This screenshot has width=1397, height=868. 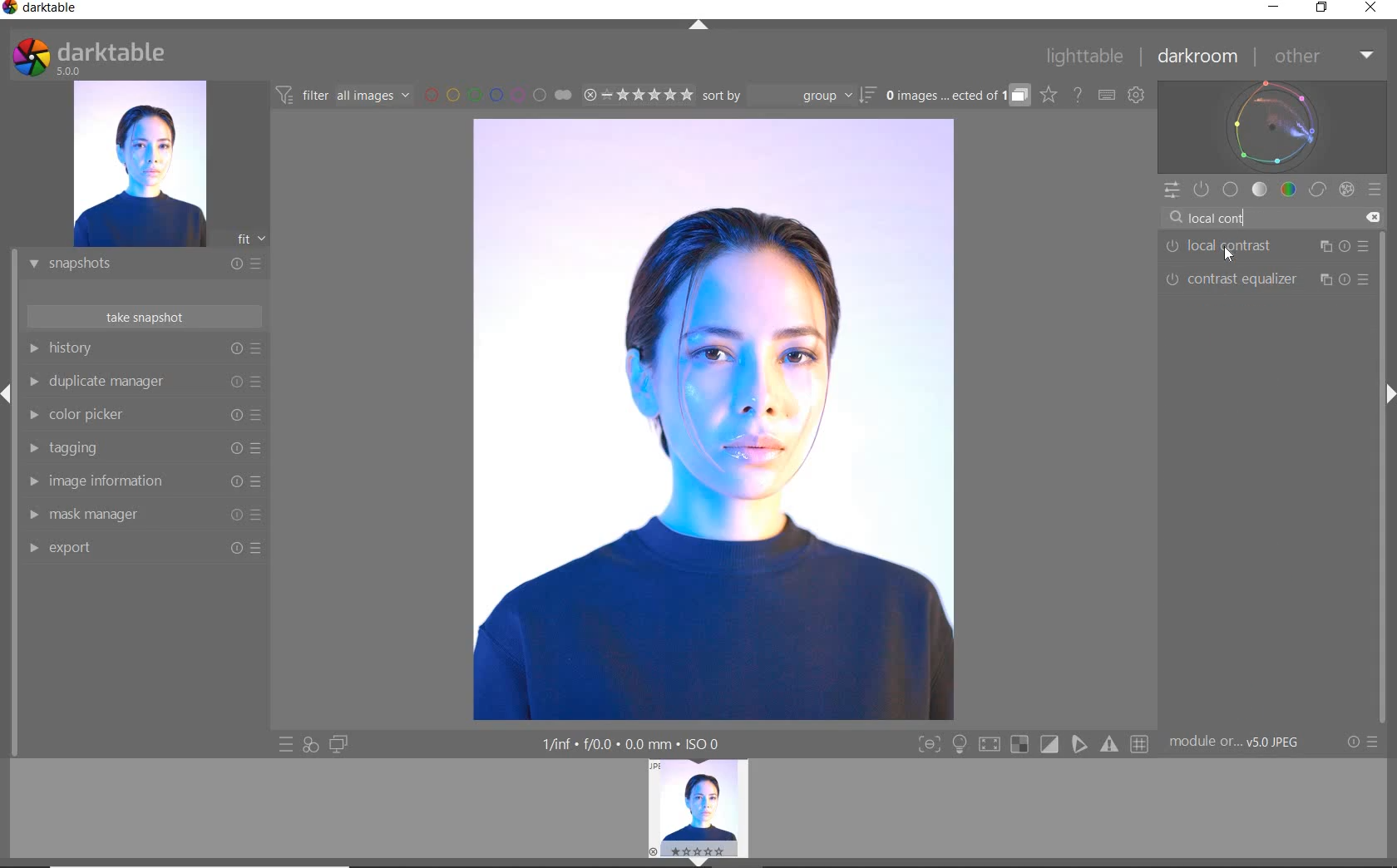 What do you see at coordinates (137, 515) in the screenshot?
I see `MASK MANAGER` at bounding box center [137, 515].